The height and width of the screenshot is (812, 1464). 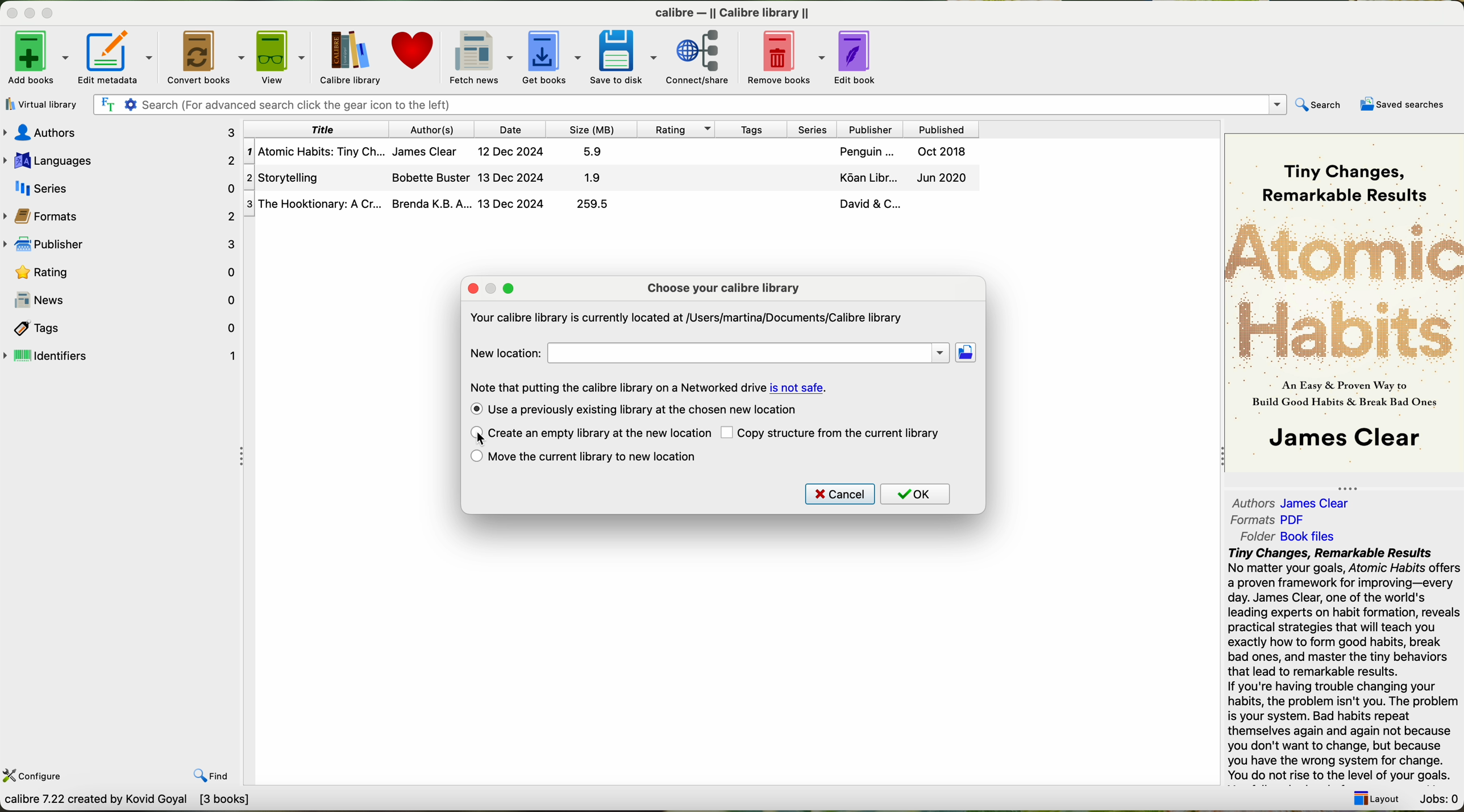 I want to click on saved searches, so click(x=1405, y=105).